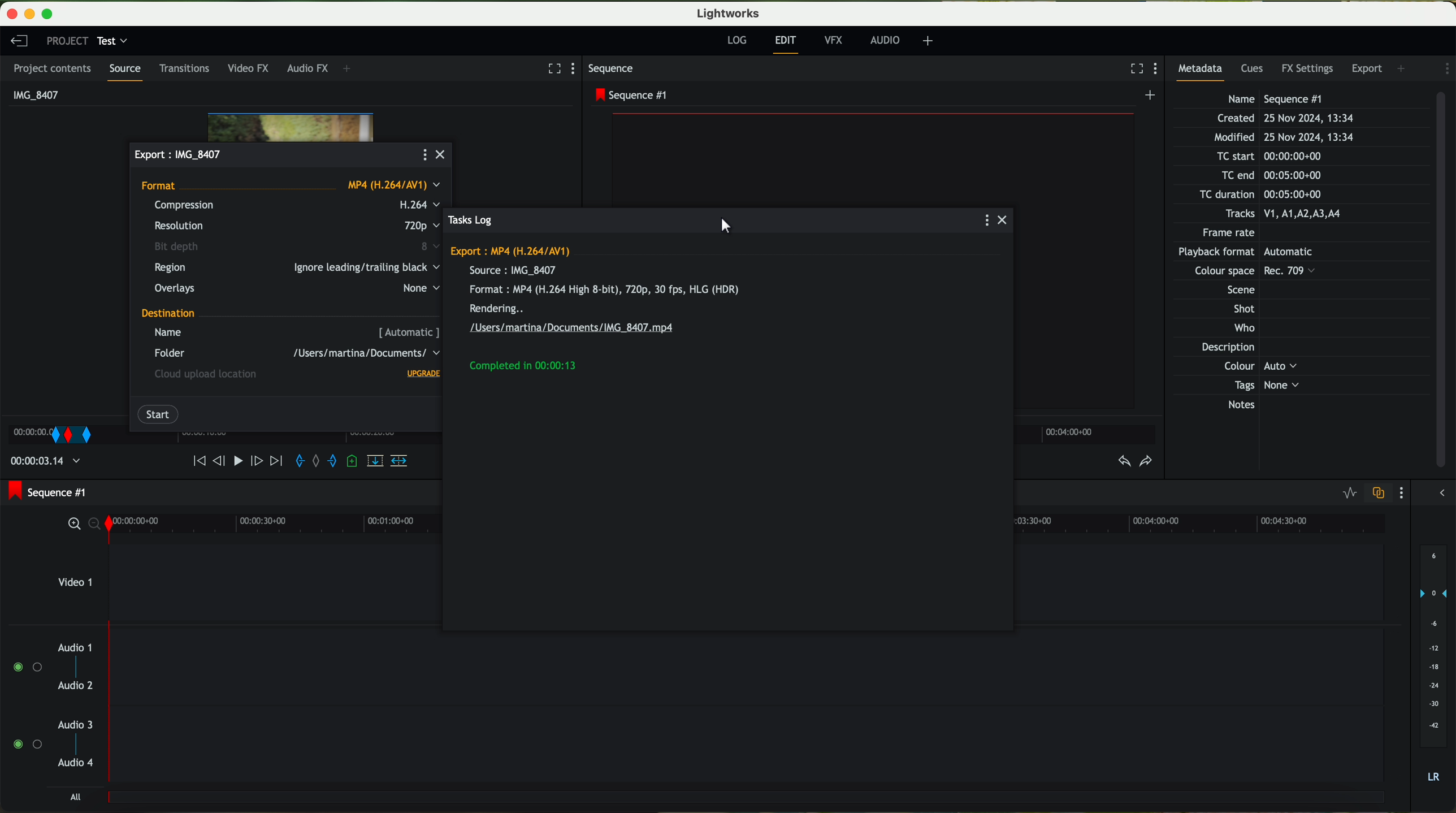 This screenshot has width=1456, height=813. I want to click on zoom in, so click(69, 525).